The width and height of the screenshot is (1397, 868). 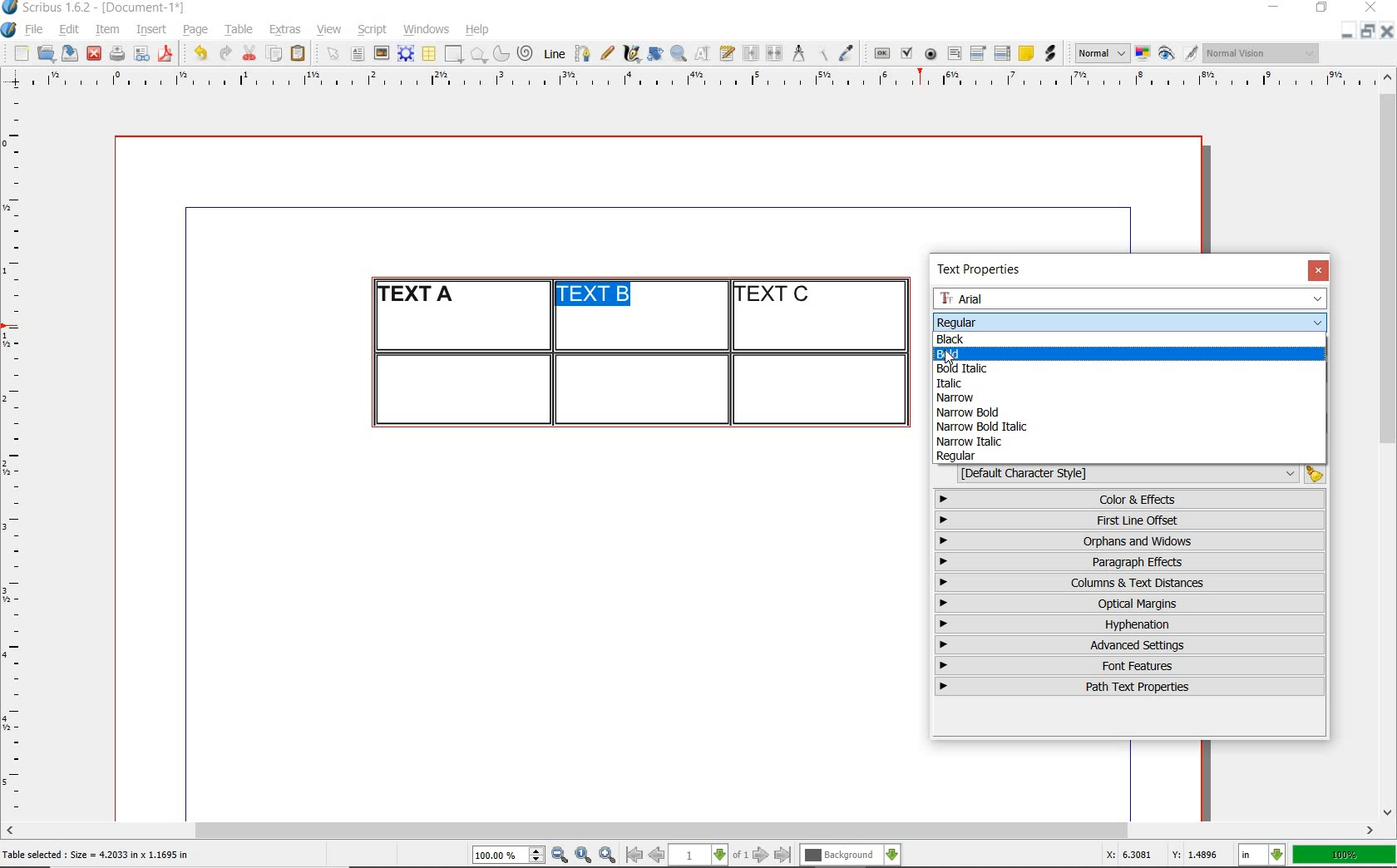 I want to click on color & effects, so click(x=1132, y=499).